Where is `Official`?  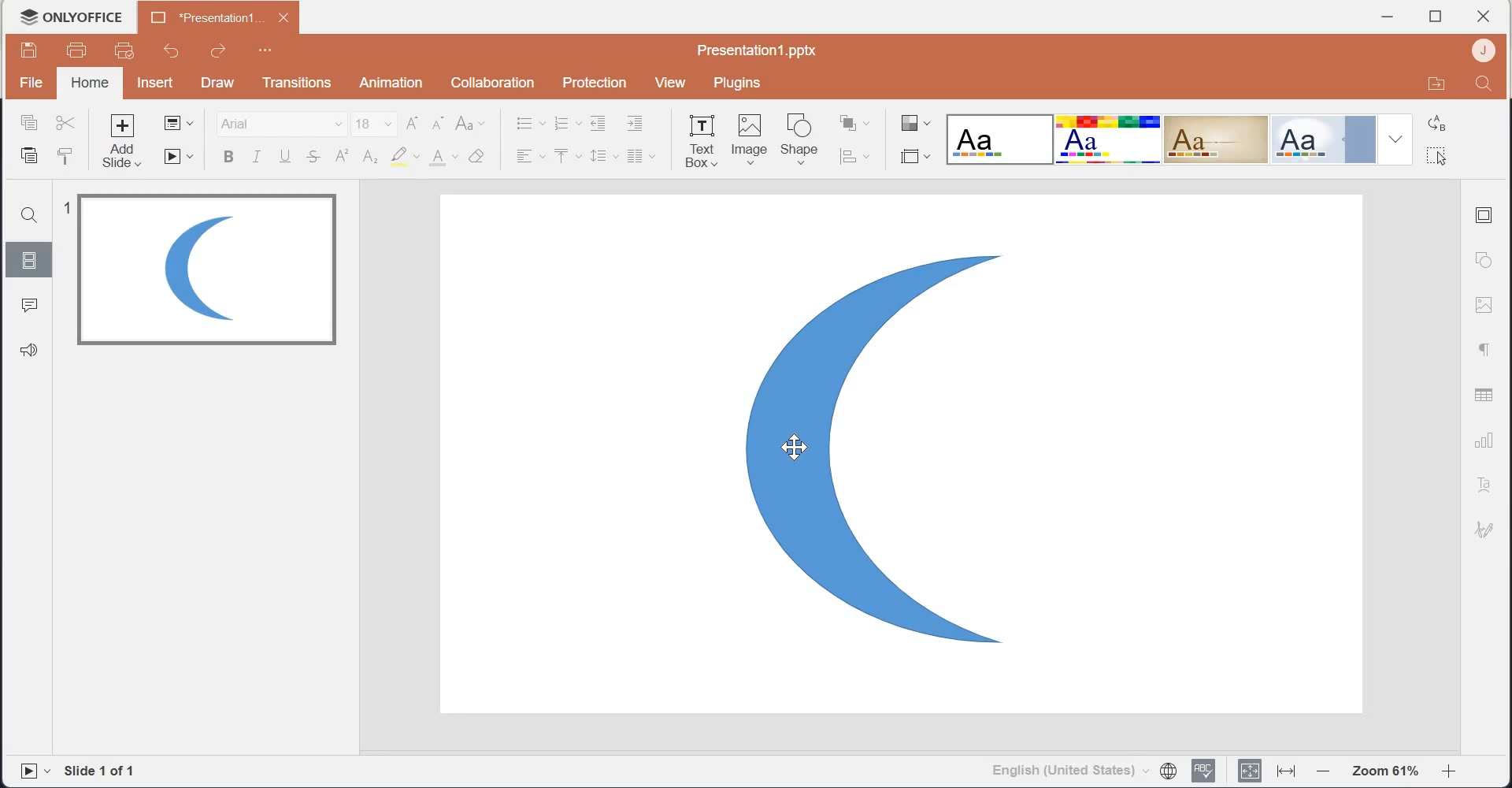
Official is located at coordinates (1323, 139).